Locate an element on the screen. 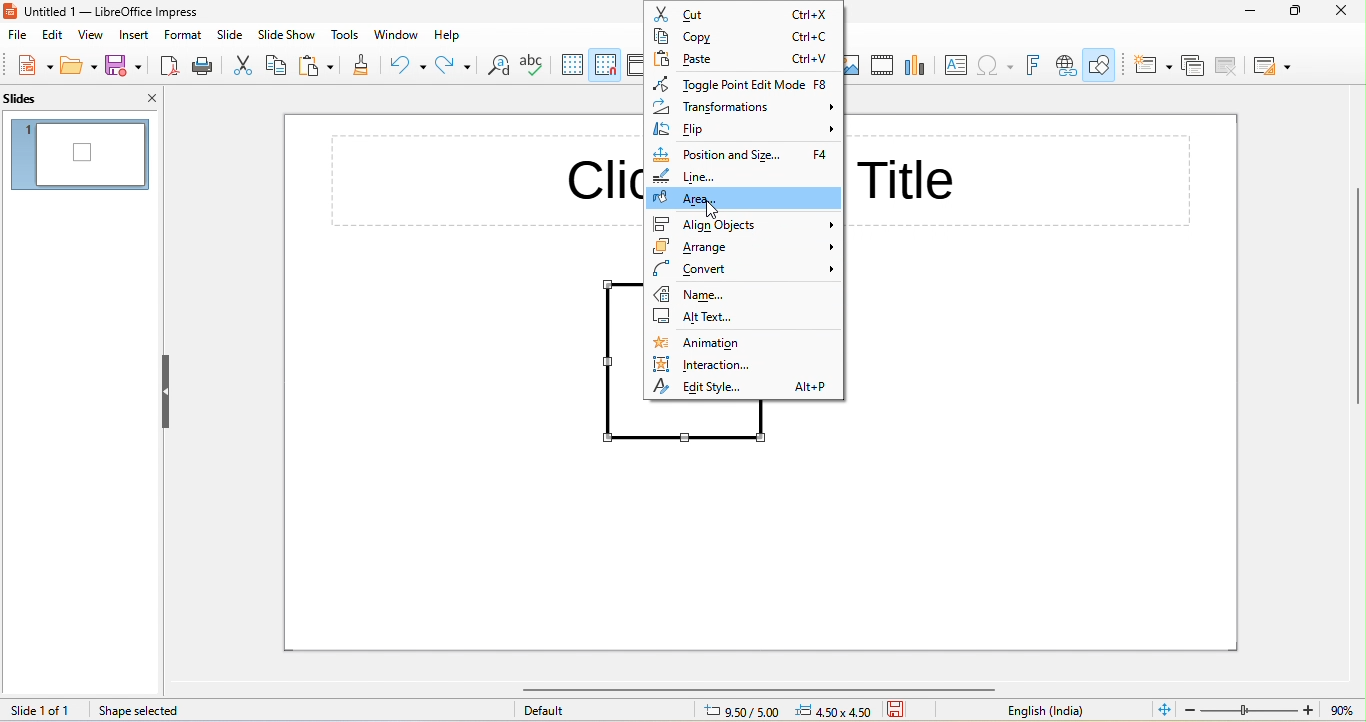  layout is located at coordinates (1273, 67).